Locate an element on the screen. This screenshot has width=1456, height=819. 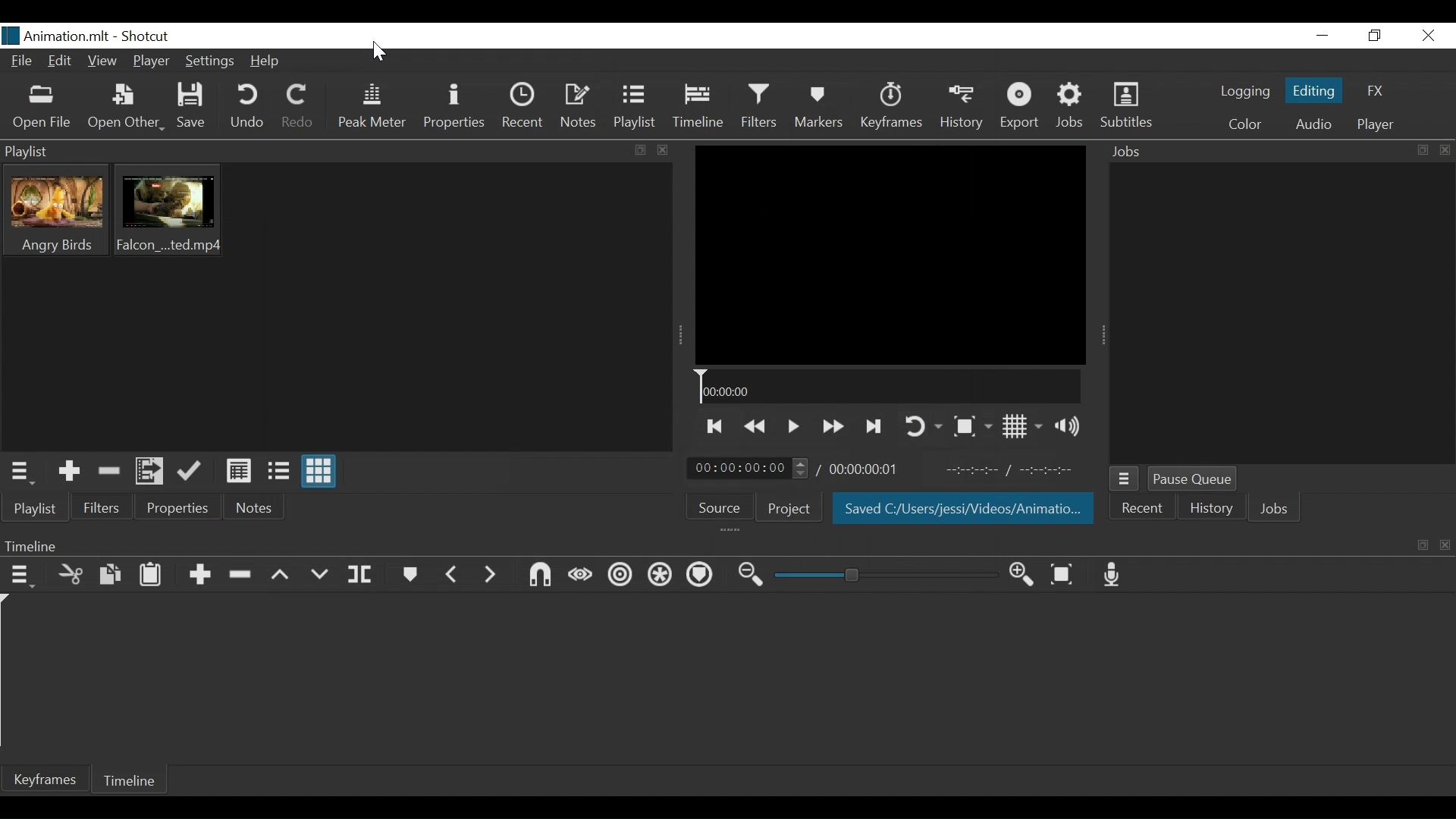
Zoom timeline in is located at coordinates (1025, 576).